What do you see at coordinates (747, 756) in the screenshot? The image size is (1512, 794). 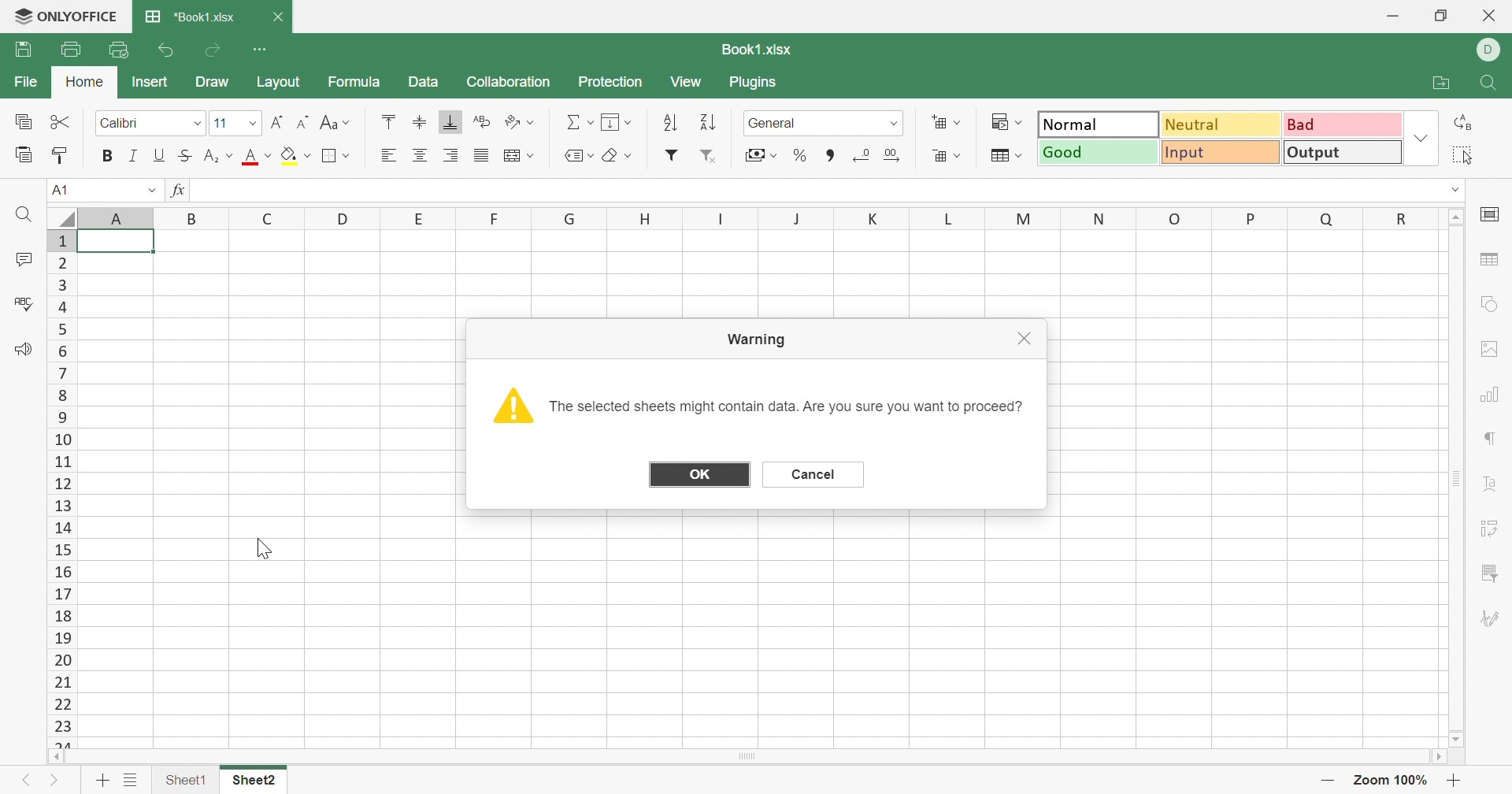 I see `Scroll Bar` at bounding box center [747, 756].